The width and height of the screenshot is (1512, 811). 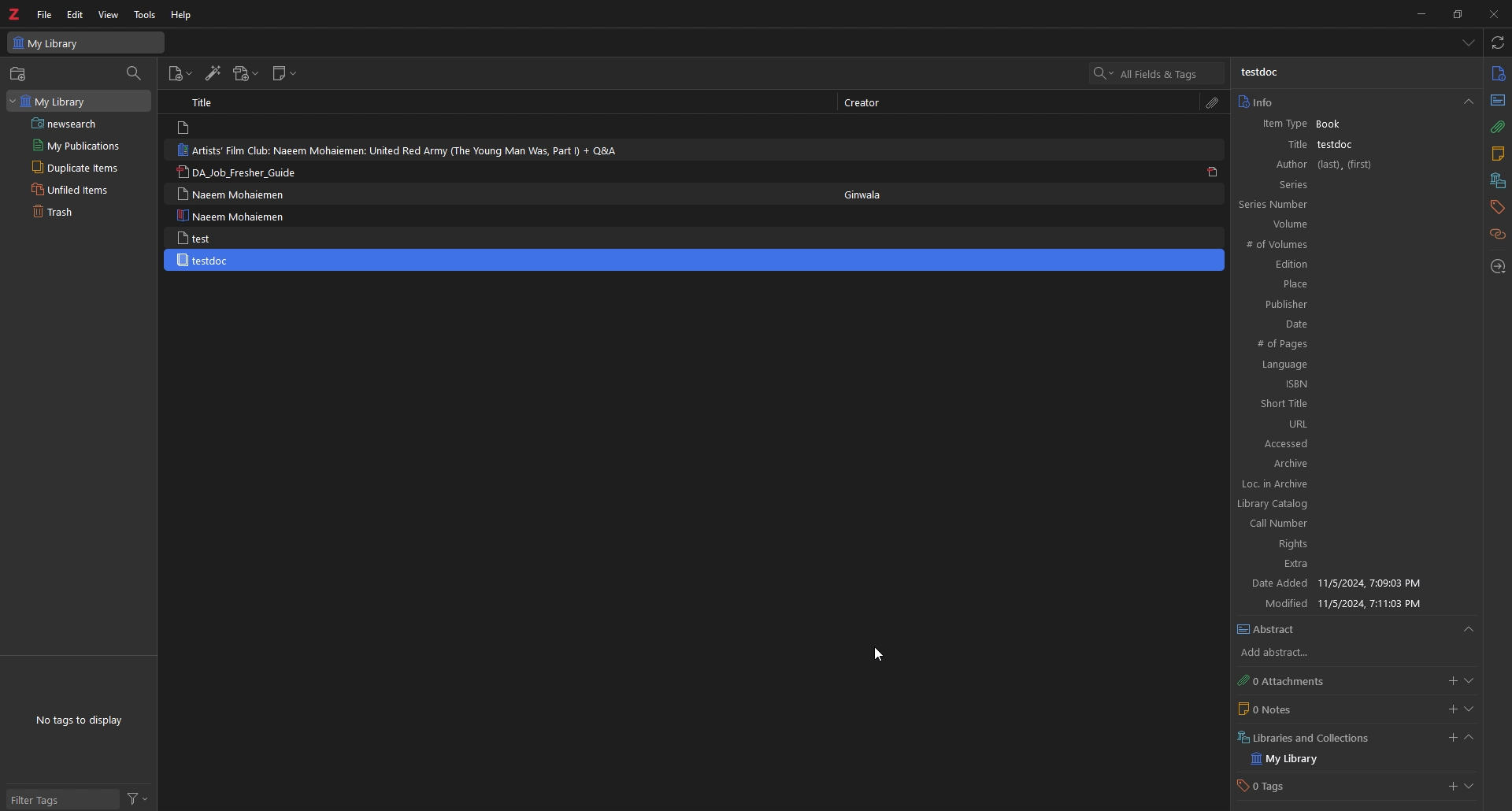 I want to click on resize, so click(x=1457, y=13).